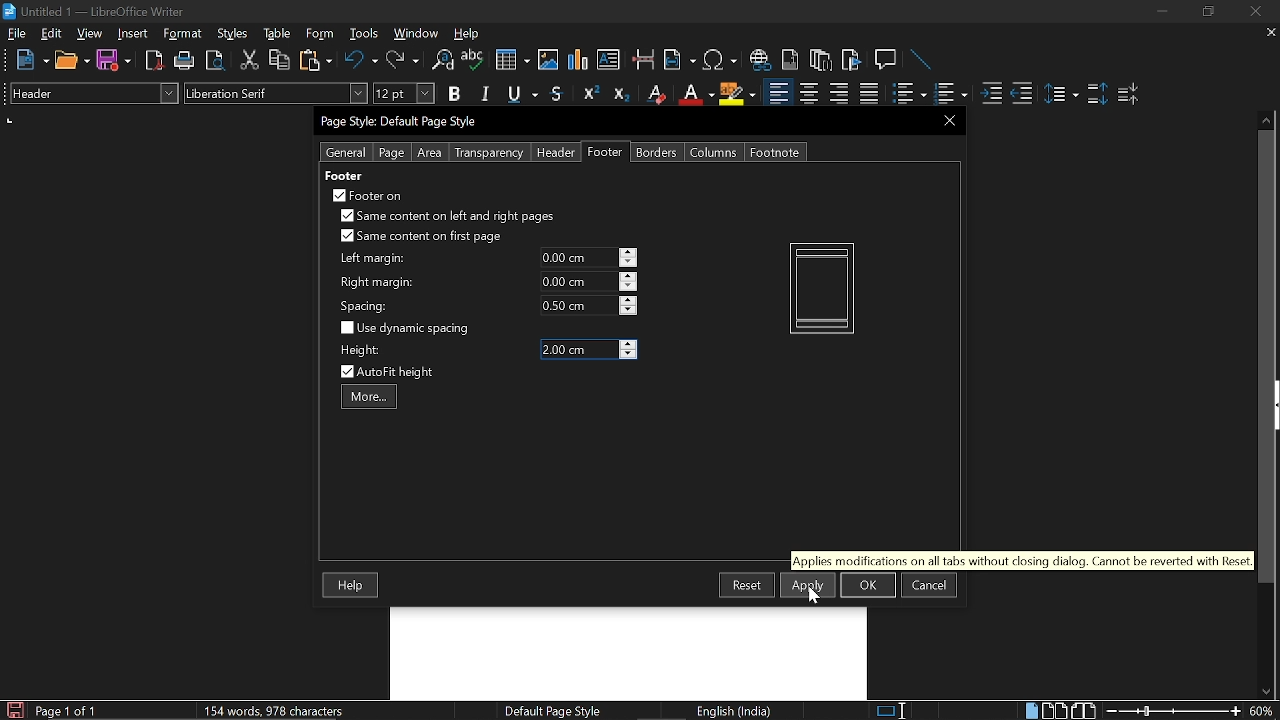  Describe the element at coordinates (577, 258) in the screenshot. I see `line margin Line margin` at that location.